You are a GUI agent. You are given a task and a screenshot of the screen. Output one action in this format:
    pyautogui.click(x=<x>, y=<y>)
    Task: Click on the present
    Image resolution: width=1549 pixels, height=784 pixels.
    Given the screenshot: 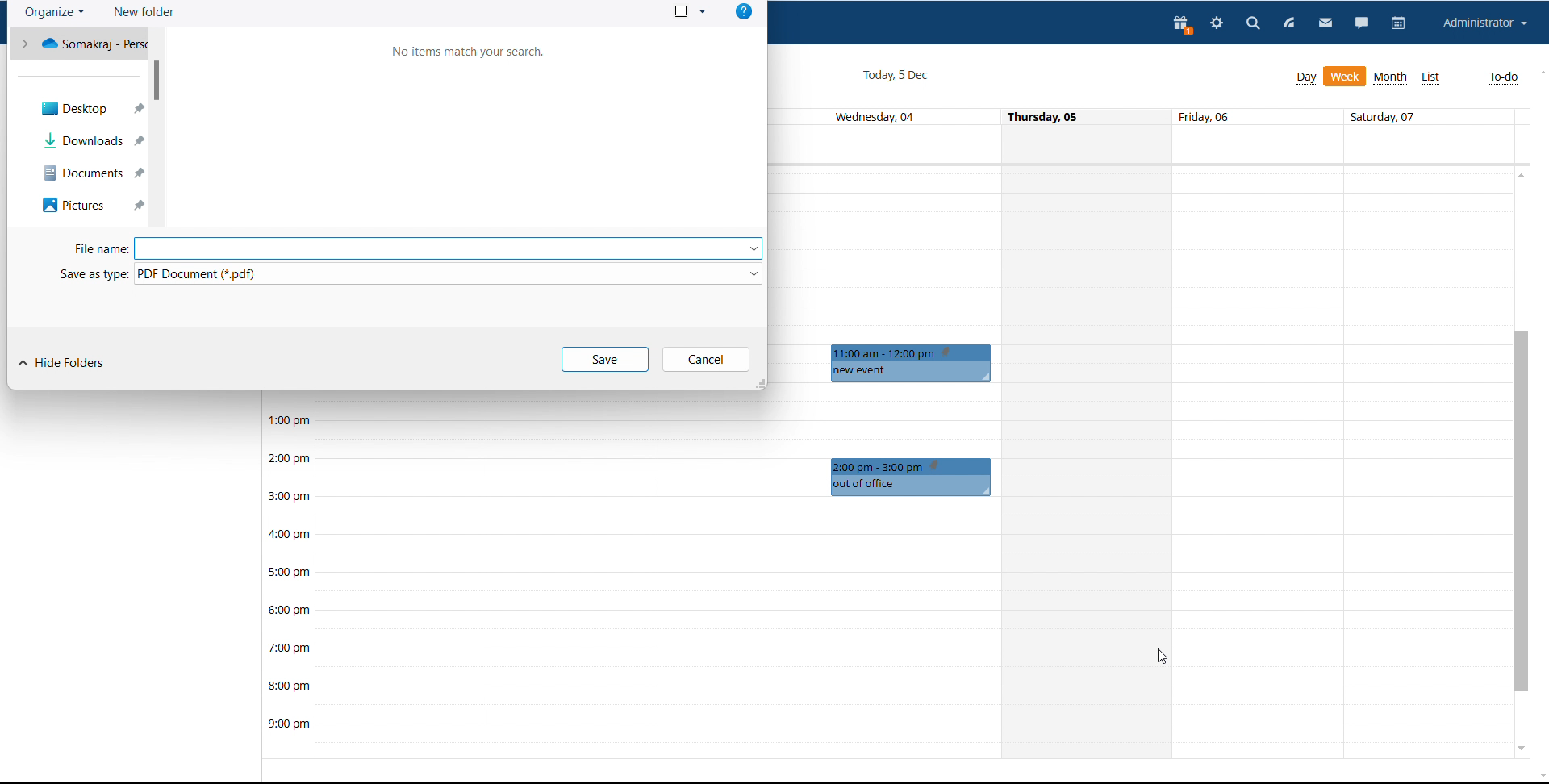 What is the action you would take?
    pyautogui.click(x=1184, y=27)
    